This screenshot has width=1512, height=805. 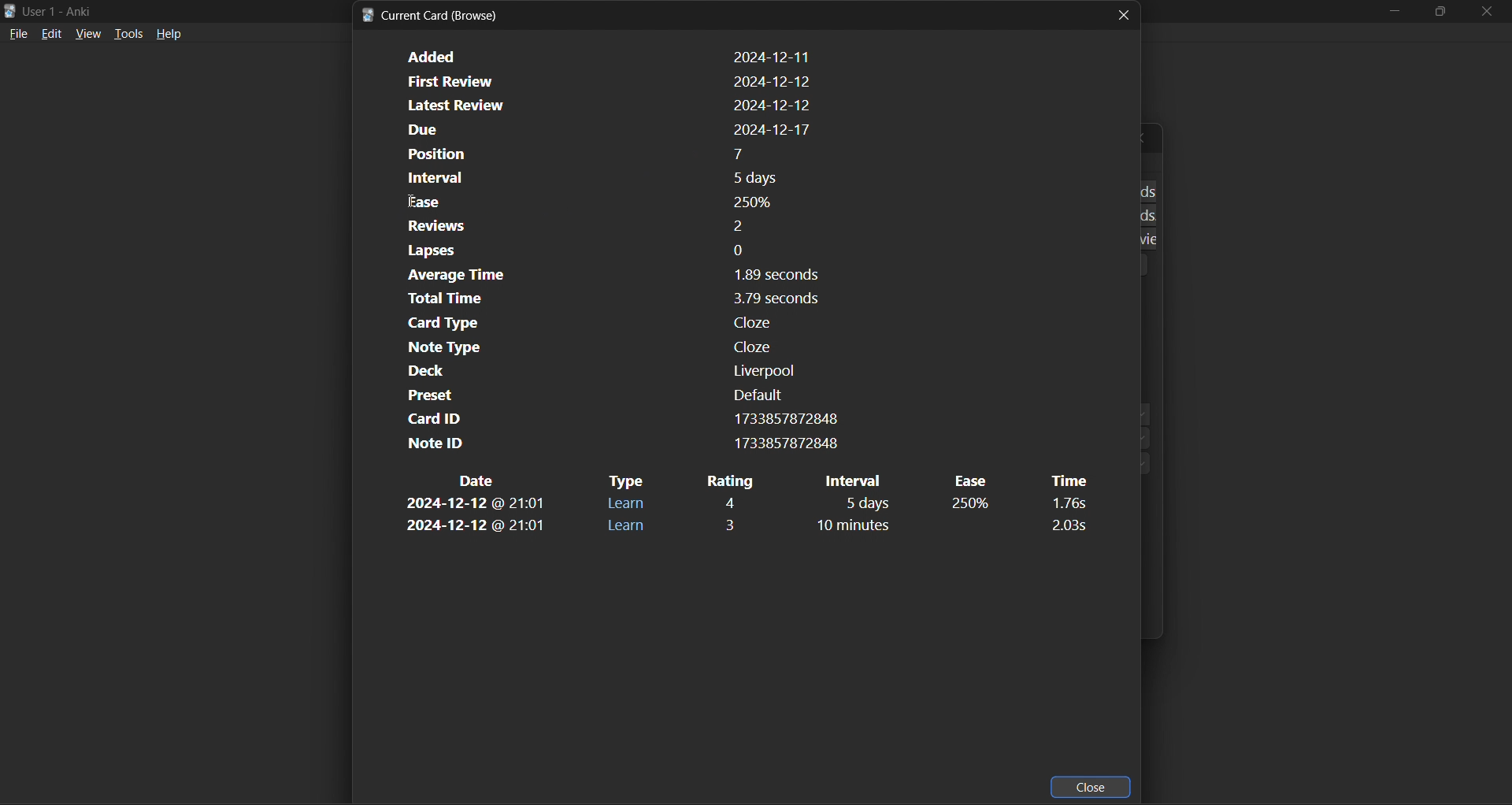 I want to click on card lapses, so click(x=601, y=250).